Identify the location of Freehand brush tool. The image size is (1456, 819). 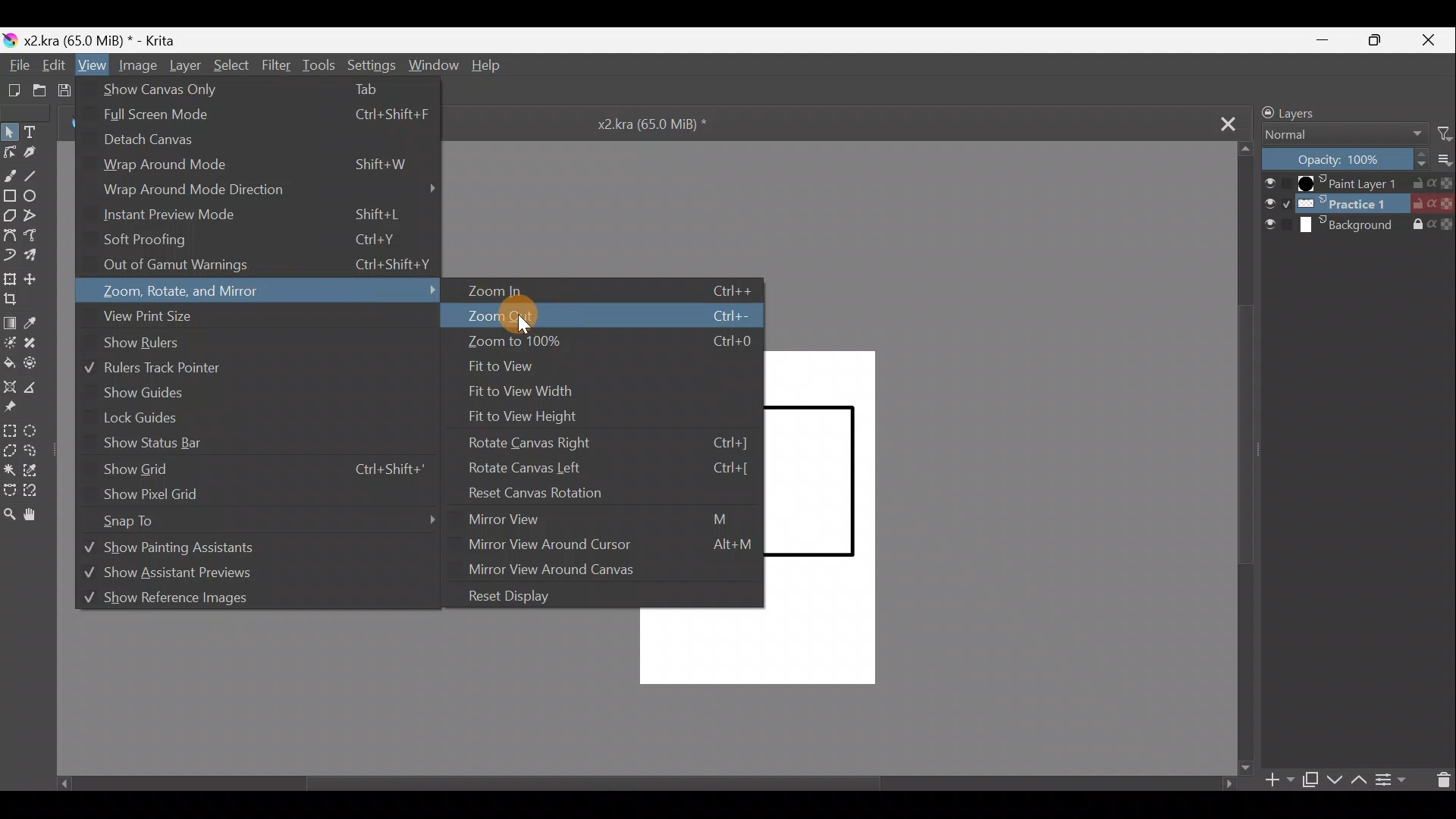
(10, 171).